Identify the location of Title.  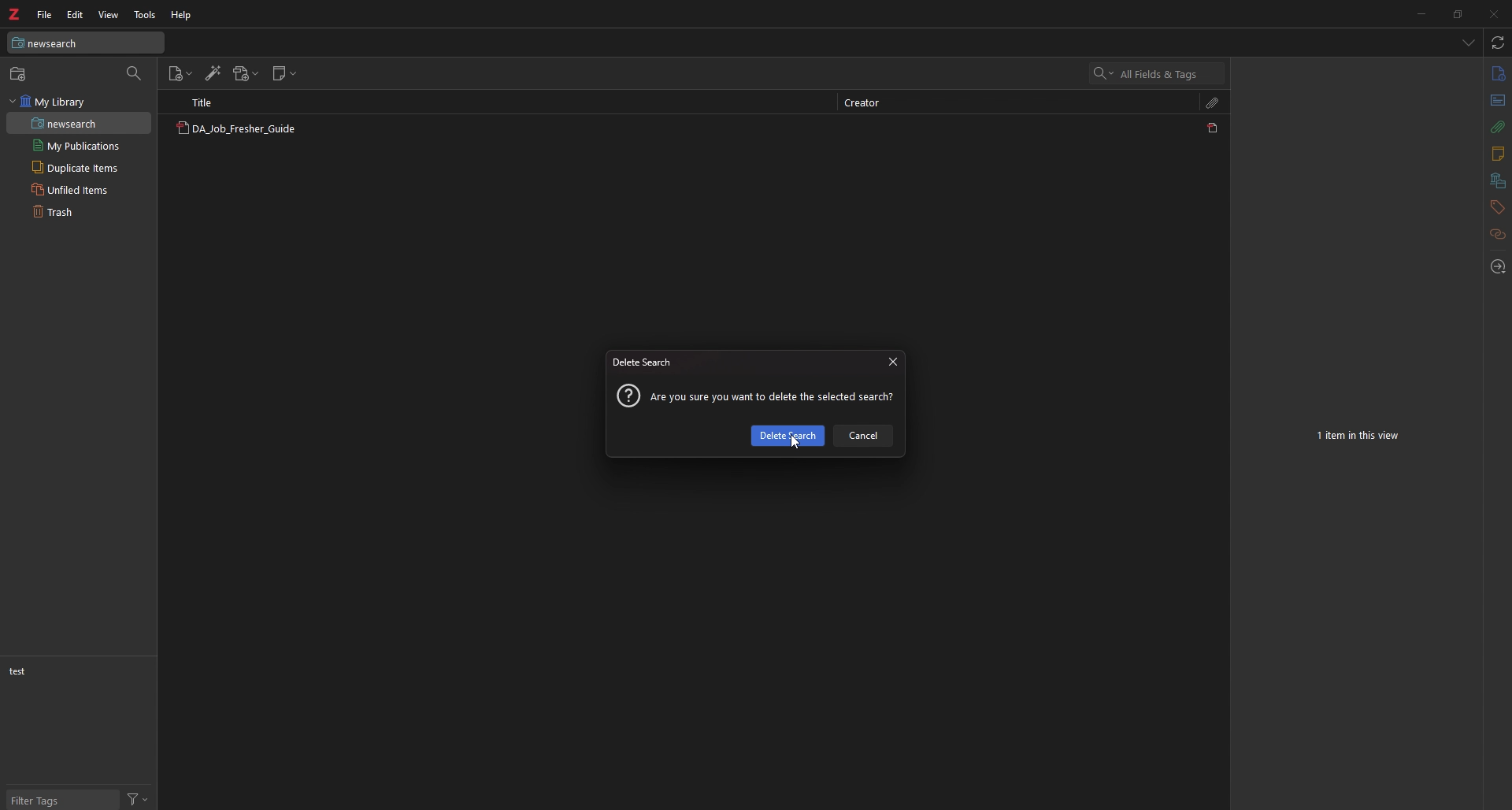
(203, 104).